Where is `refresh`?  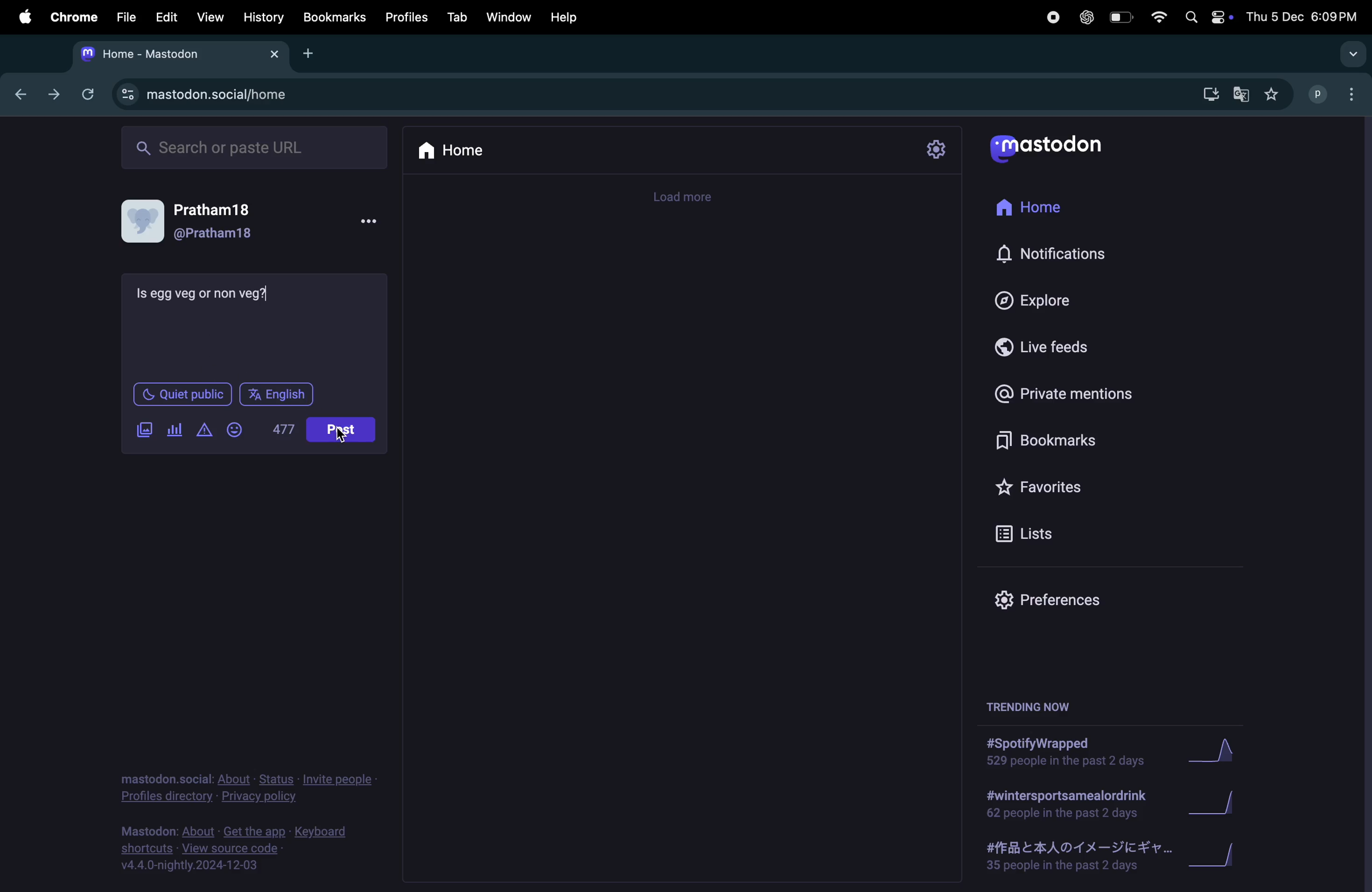 refresh is located at coordinates (88, 94).